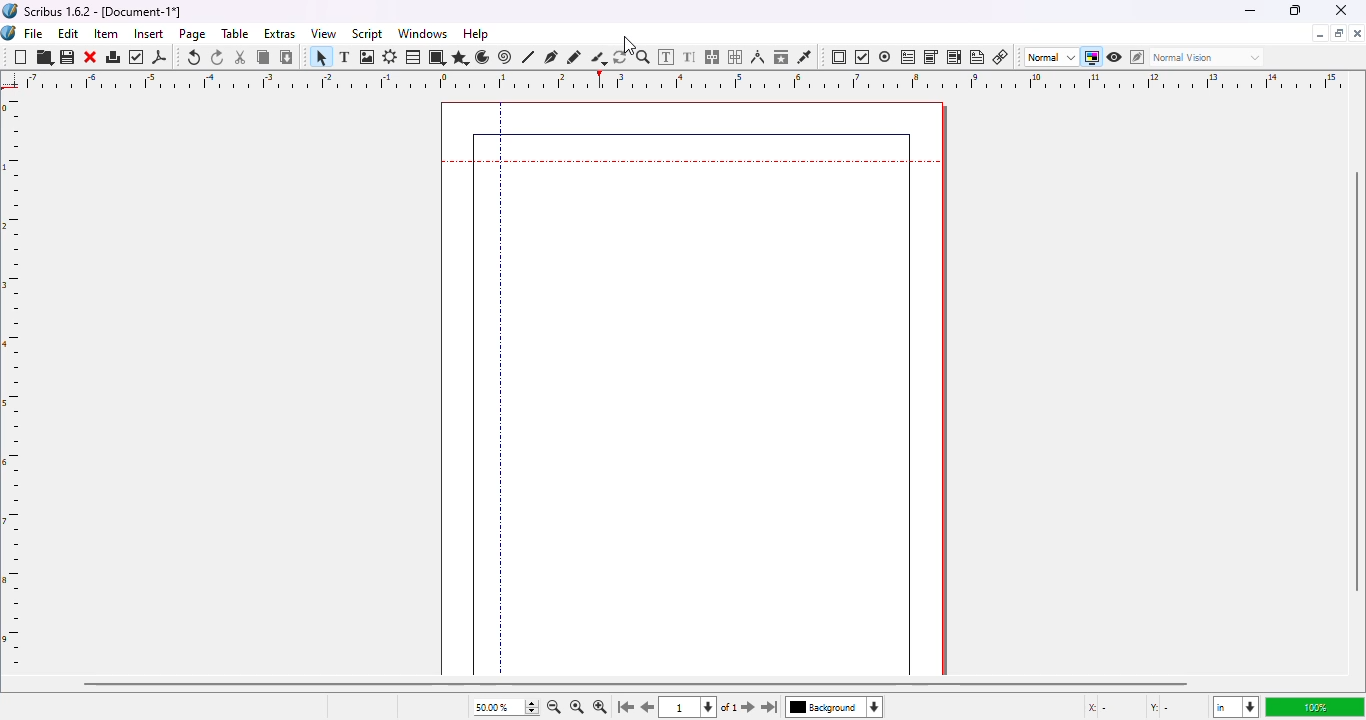  What do you see at coordinates (1209, 57) in the screenshot?
I see `normal vision` at bounding box center [1209, 57].